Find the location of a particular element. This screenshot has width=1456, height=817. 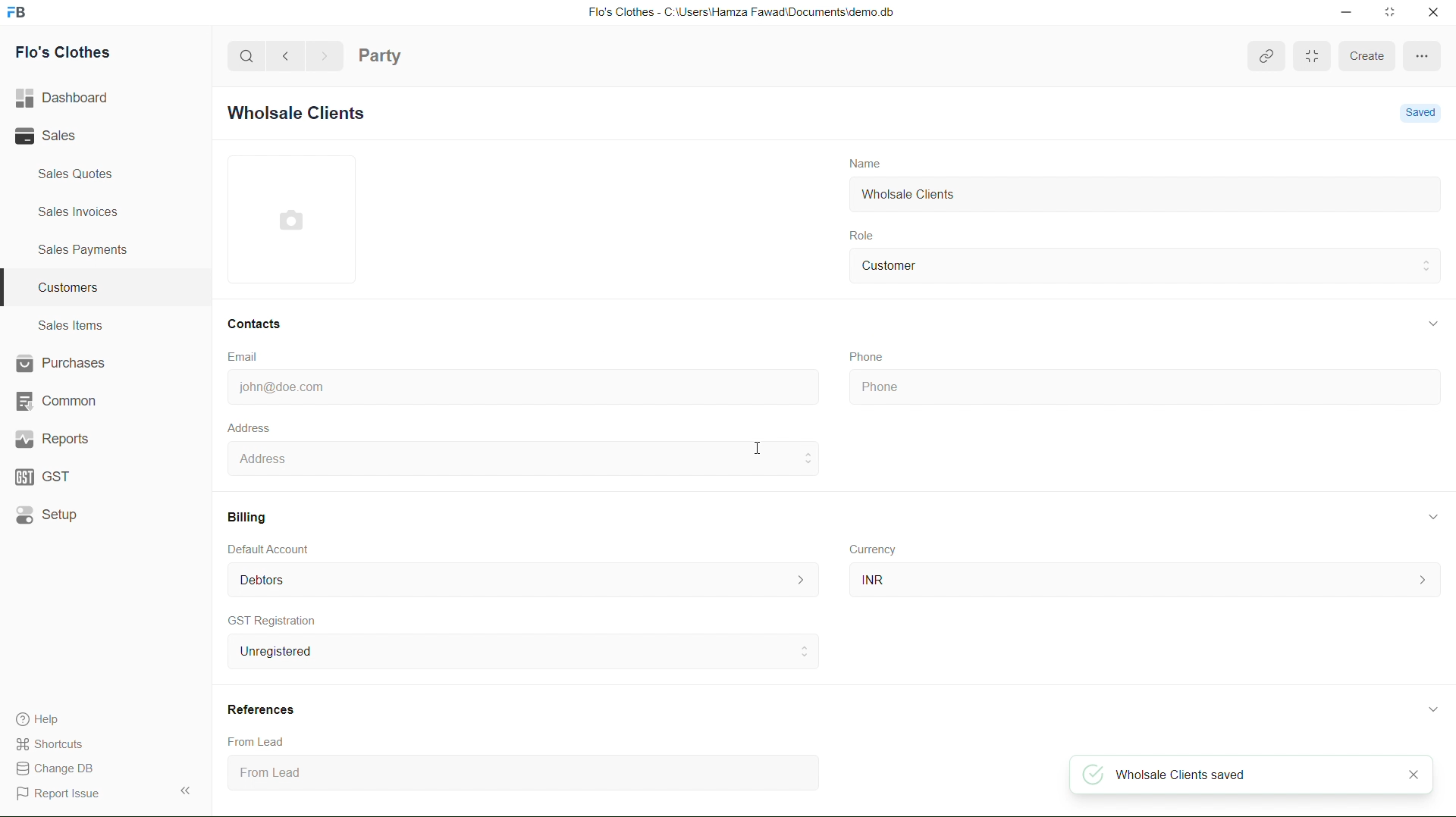

next is located at coordinates (327, 57).